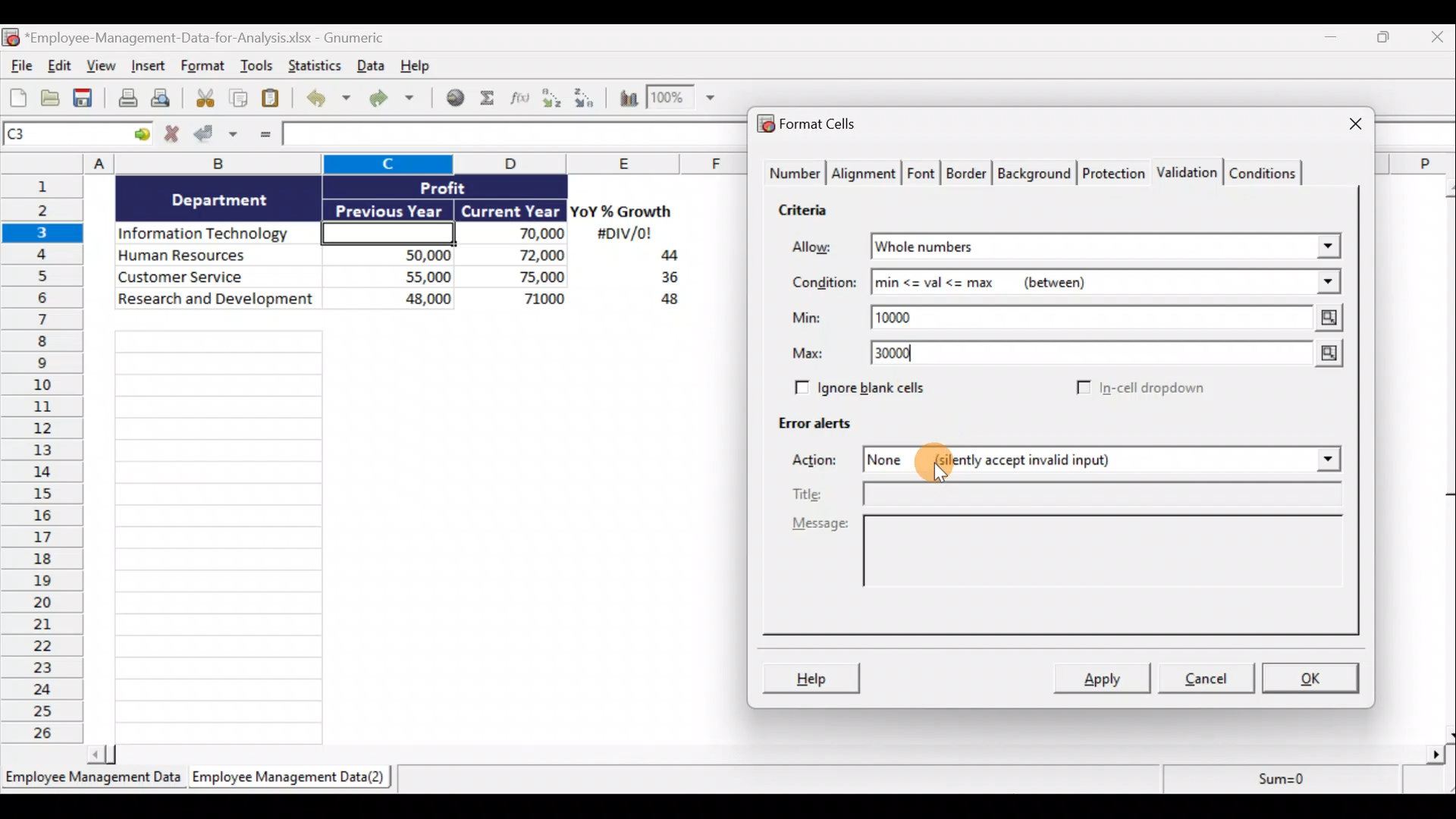 The width and height of the screenshot is (1456, 819). I want to click on 36, so click(664, 280).